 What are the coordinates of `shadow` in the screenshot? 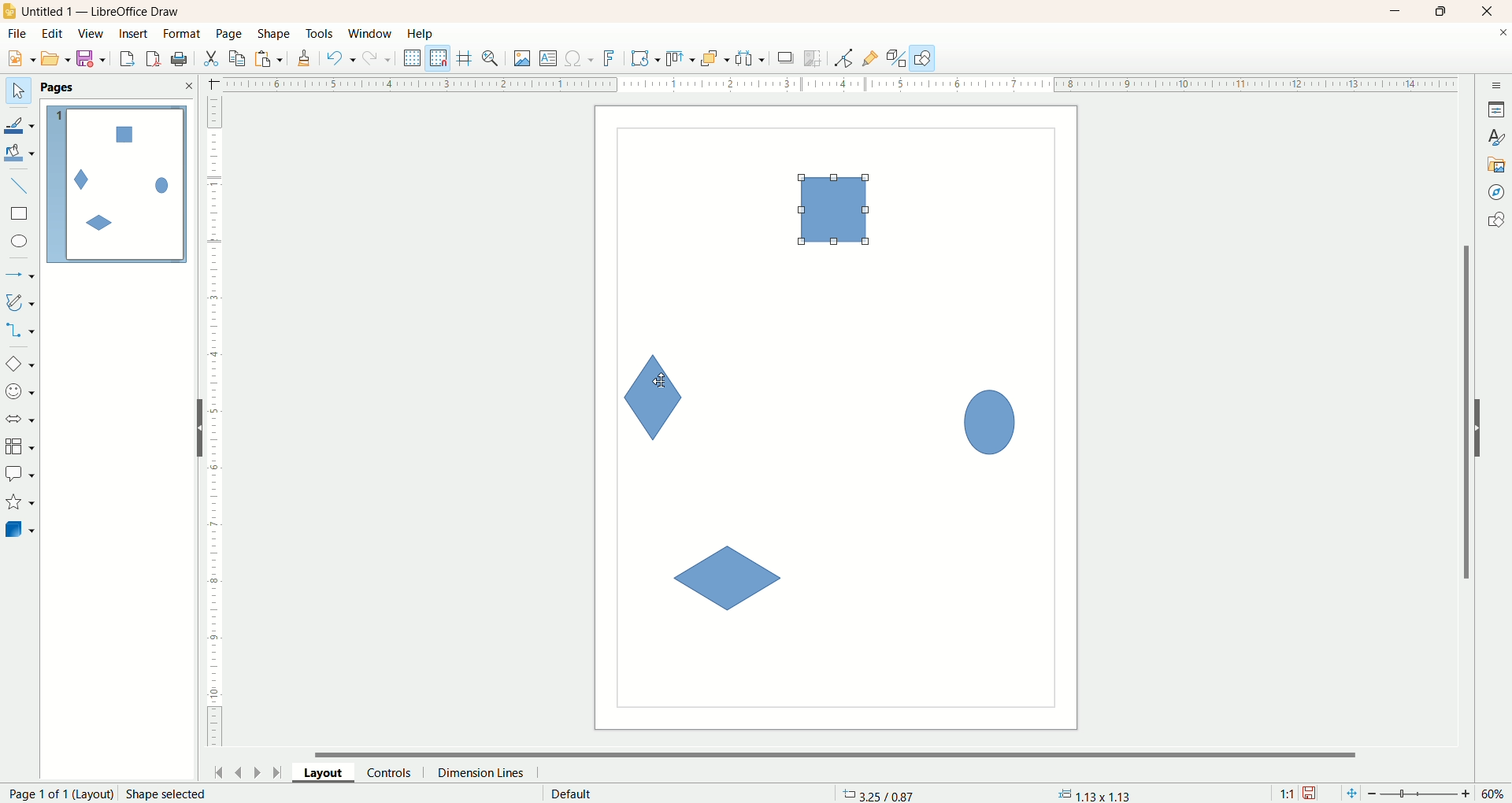 It's located at (786, 57).